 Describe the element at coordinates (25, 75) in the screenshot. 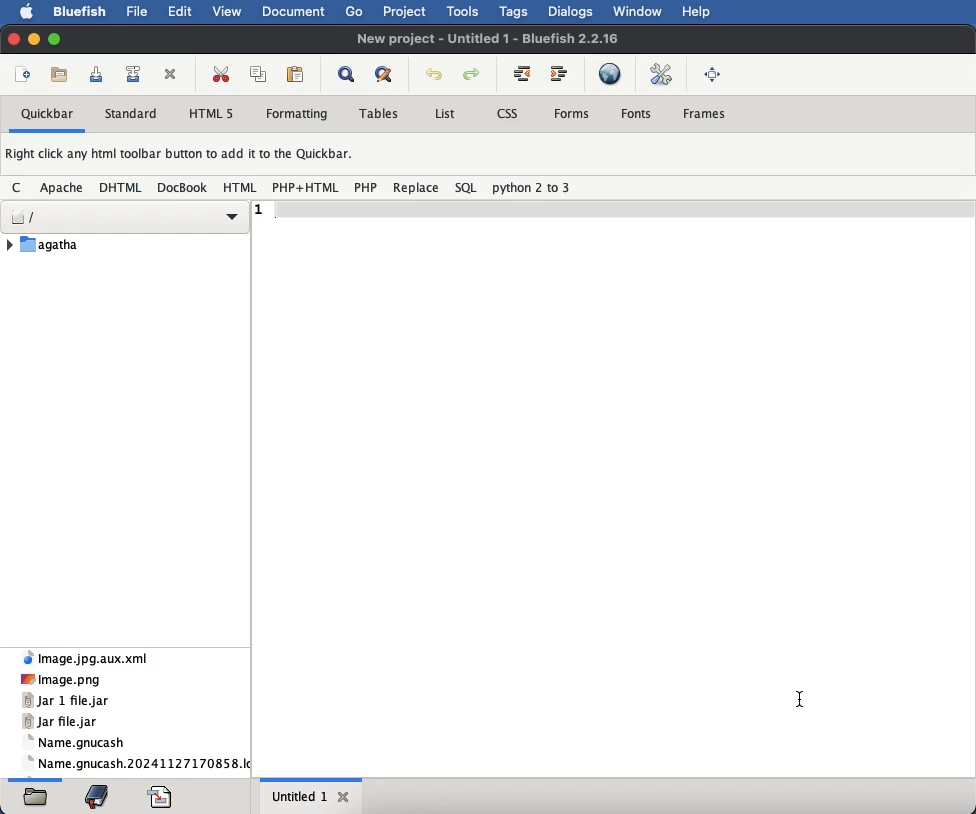

I see `new file` at that location.